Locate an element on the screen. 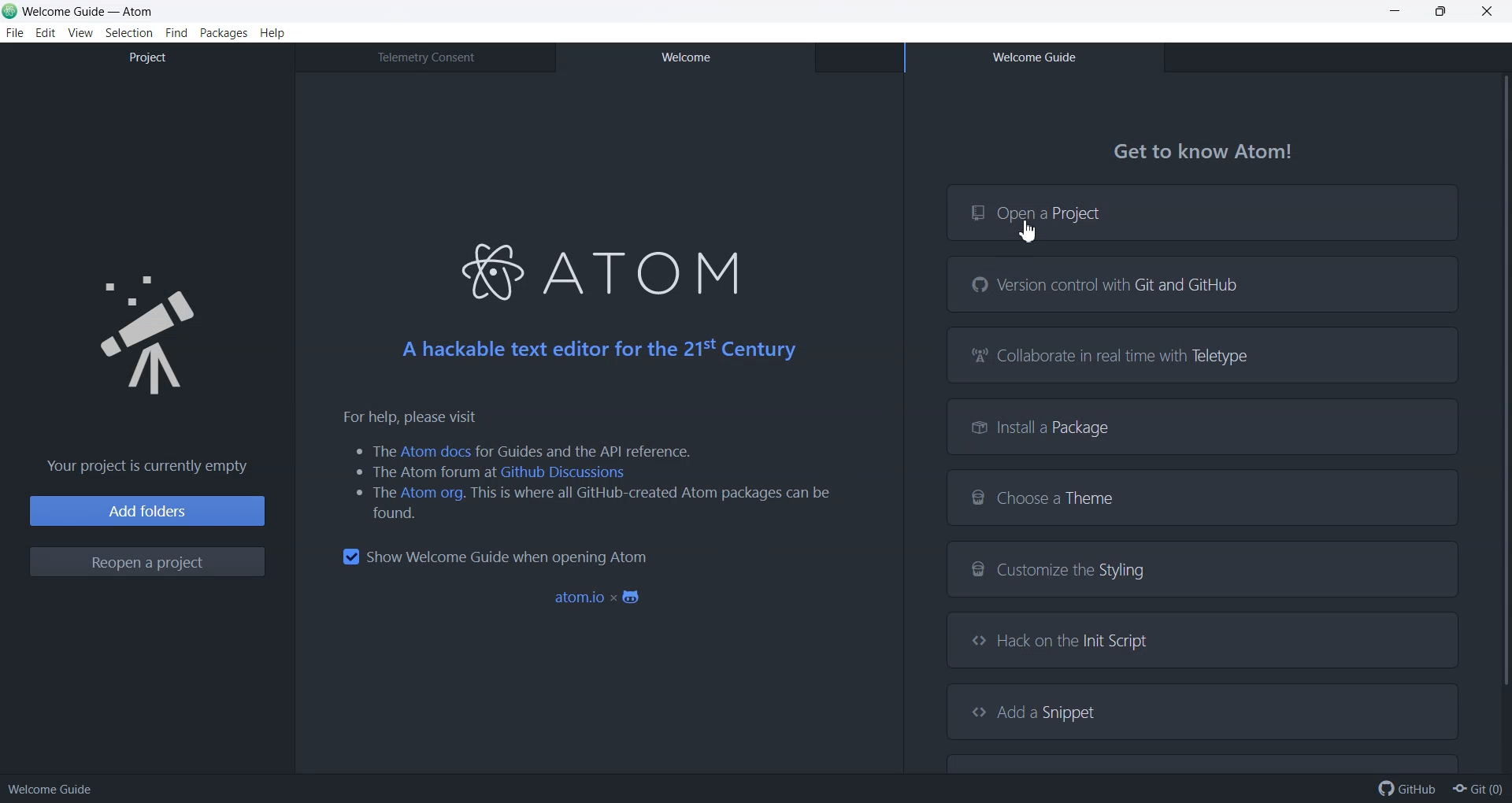 The height and width of the screenshot is (803, 1512). Customize the styling is located at coordinates (1203, 569).